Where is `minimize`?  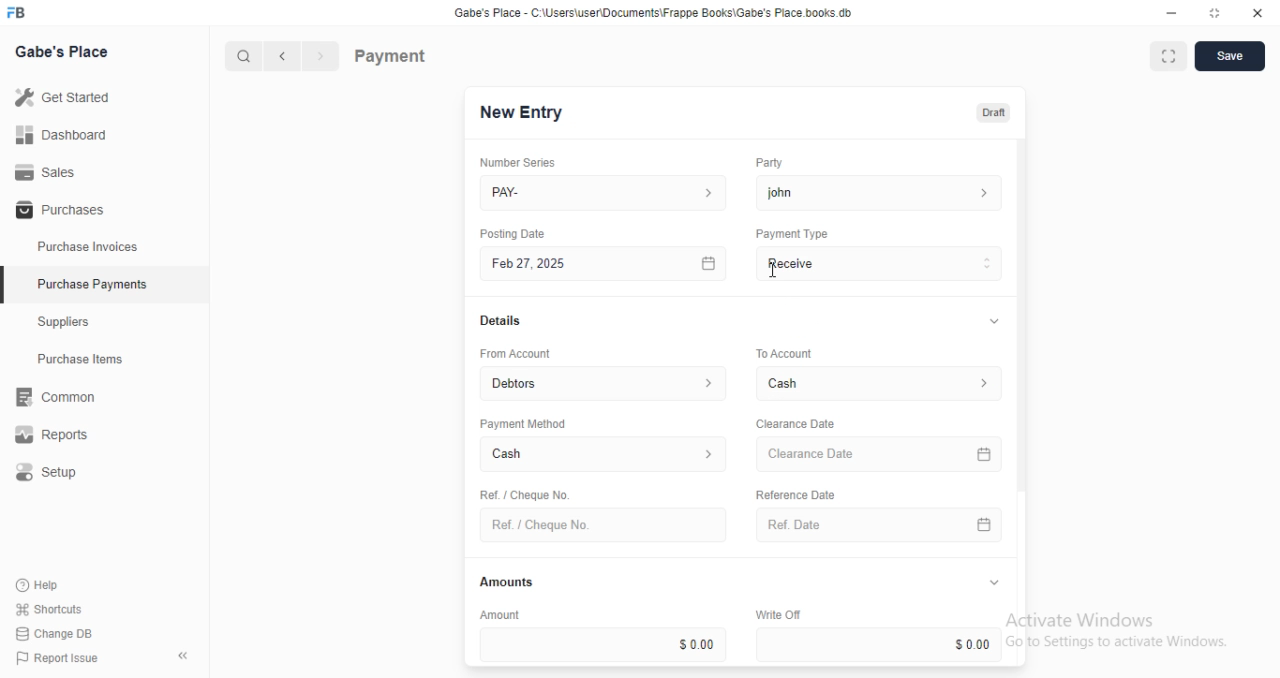 minimize is located at coordinates (1166, 12).